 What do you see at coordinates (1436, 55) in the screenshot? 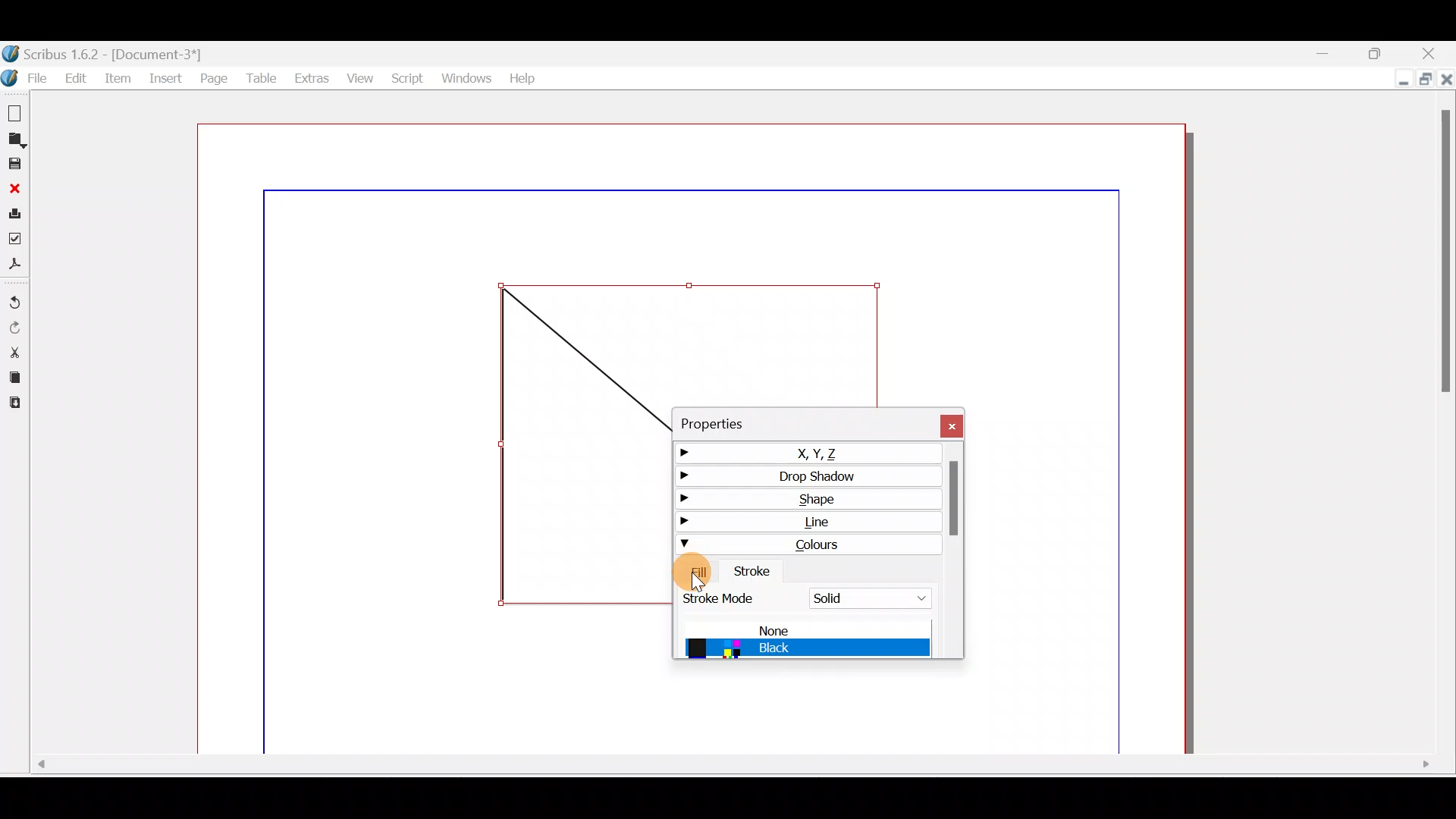
I see `Close` at bounding box center [1436, 55].